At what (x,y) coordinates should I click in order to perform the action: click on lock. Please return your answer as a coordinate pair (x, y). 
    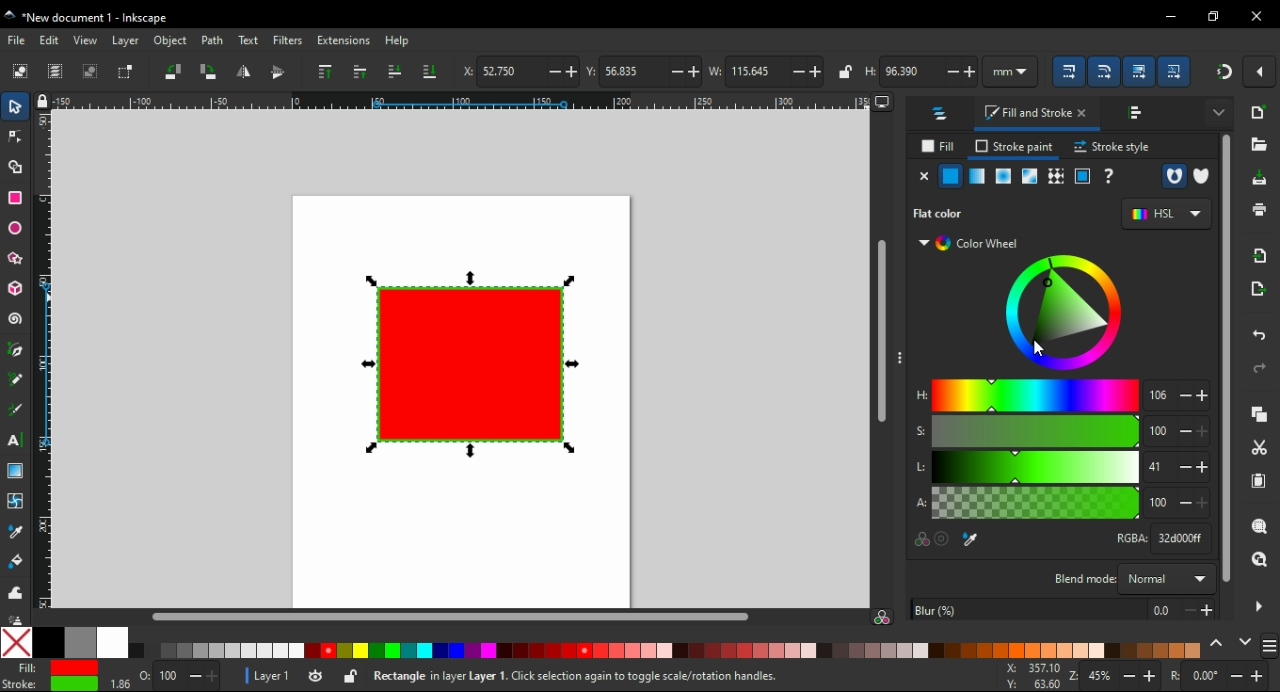
    Looking at the image, I should click on (350, 676).